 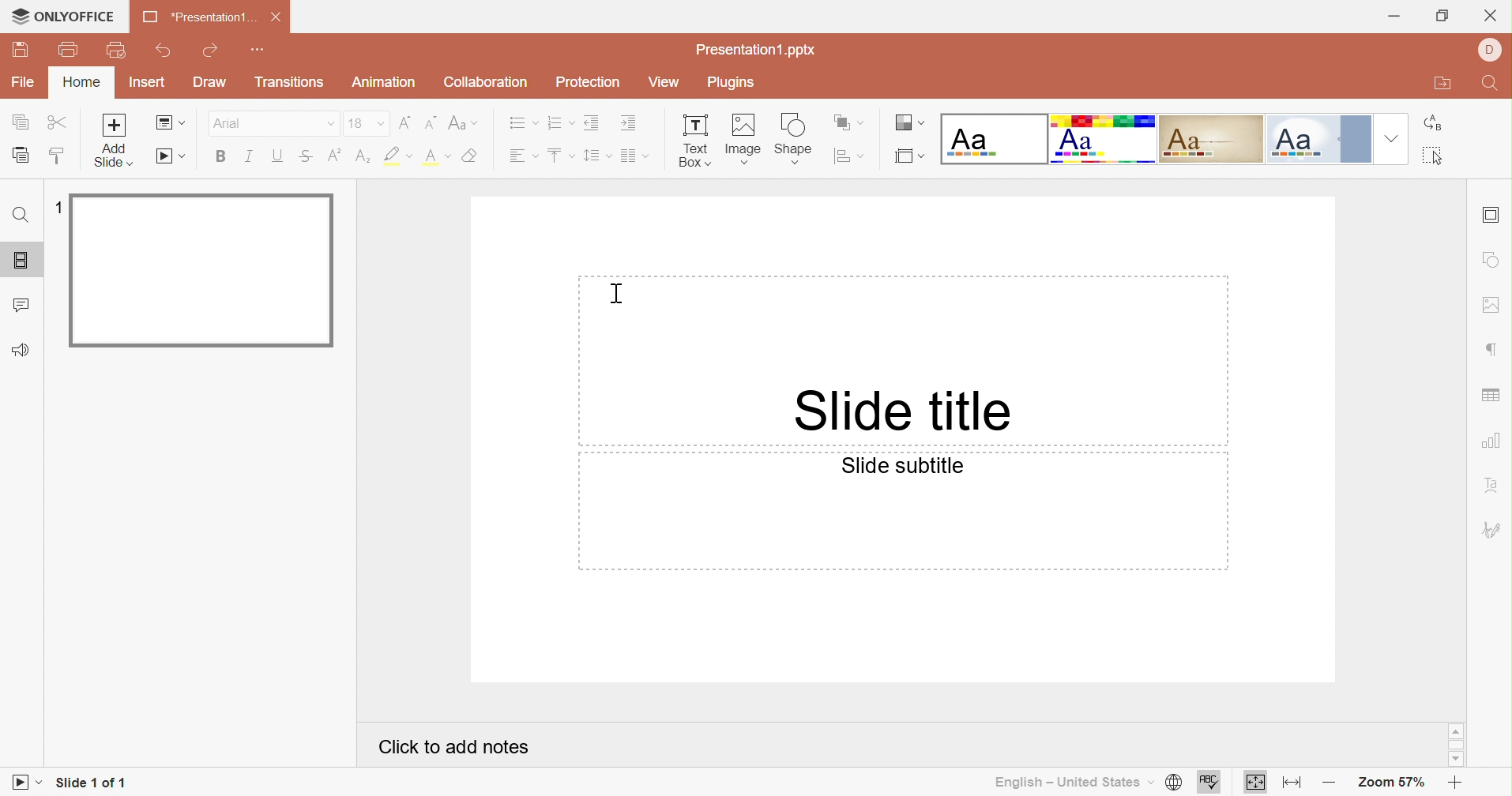 I want to click on Highlight font, so click(x=399, y=156).